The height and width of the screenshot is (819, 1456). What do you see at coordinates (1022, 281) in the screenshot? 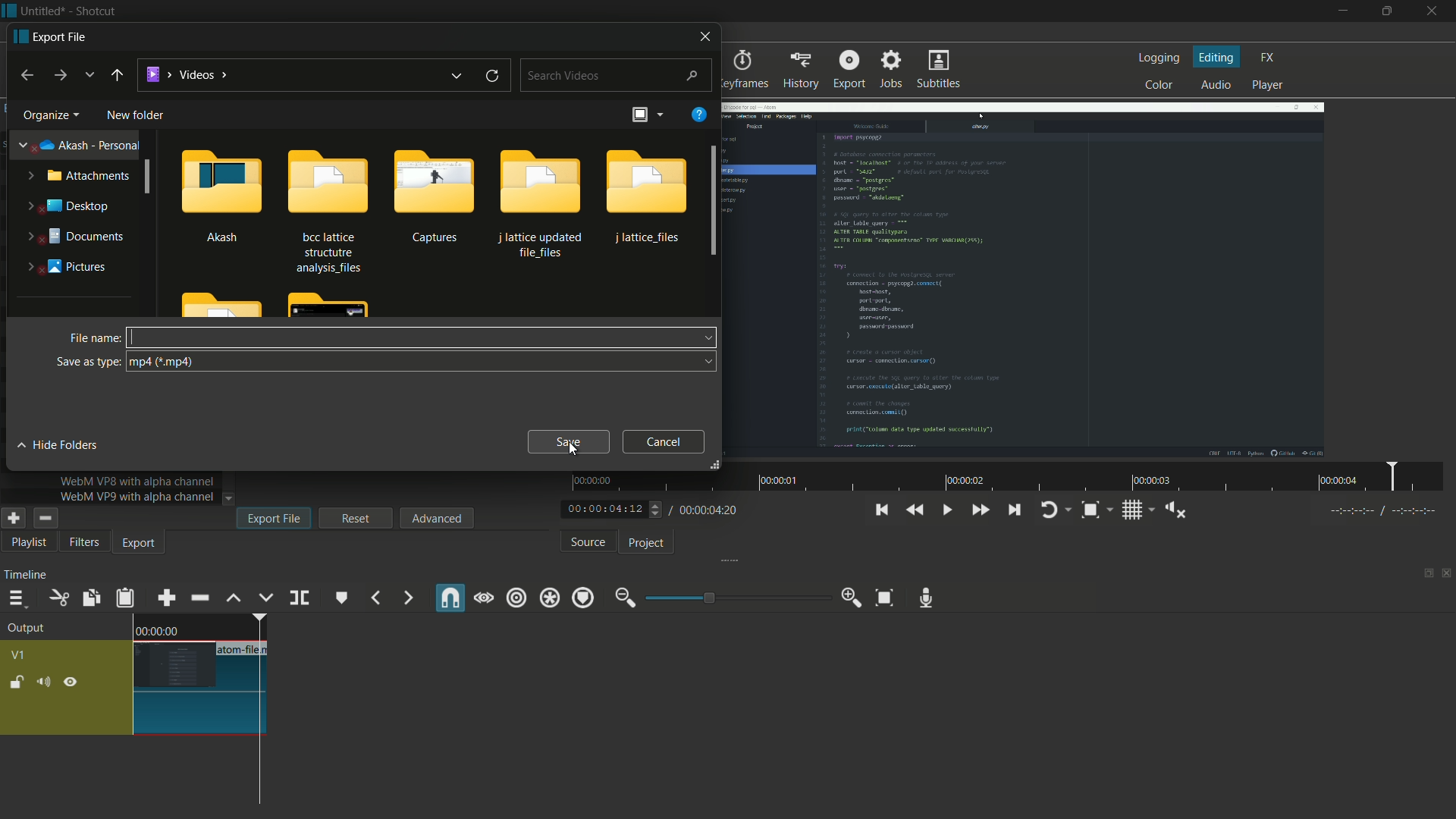
I see `imported file` at bounding box center [1022, 281].